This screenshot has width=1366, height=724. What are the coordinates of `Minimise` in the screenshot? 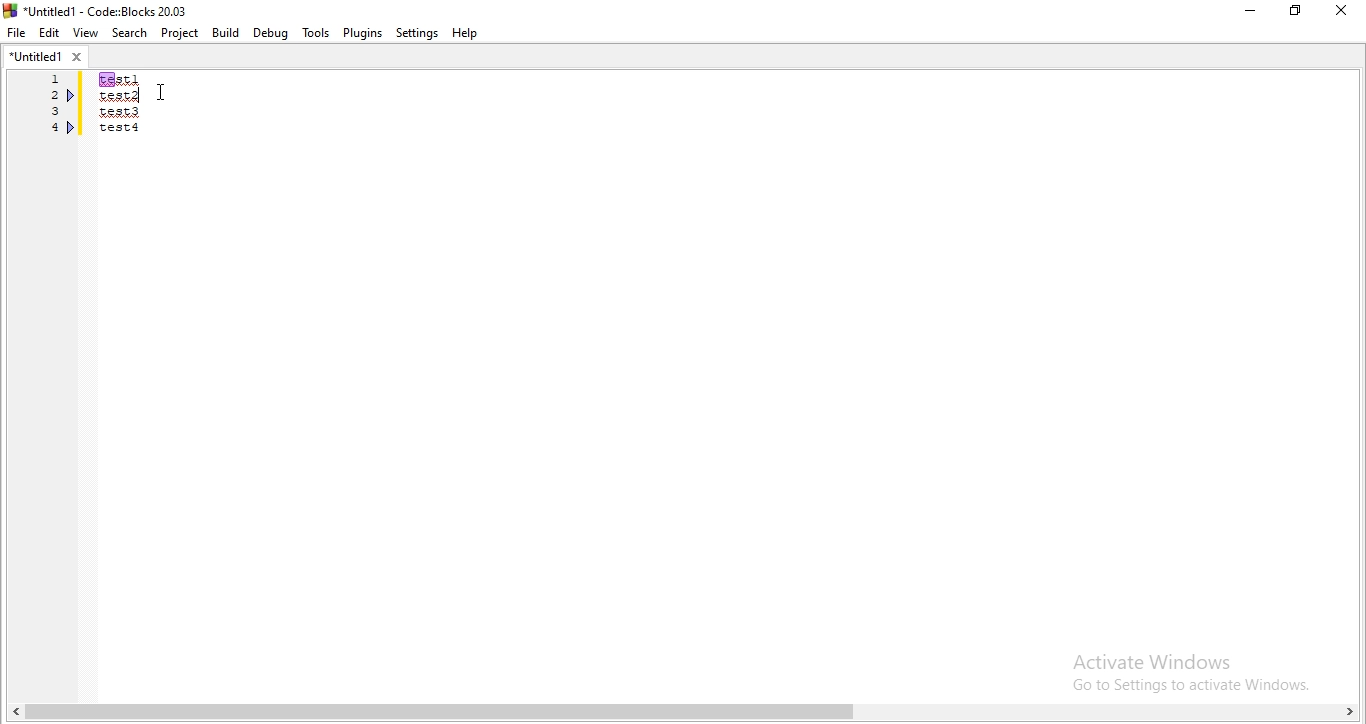 It's located at (1248, 14).